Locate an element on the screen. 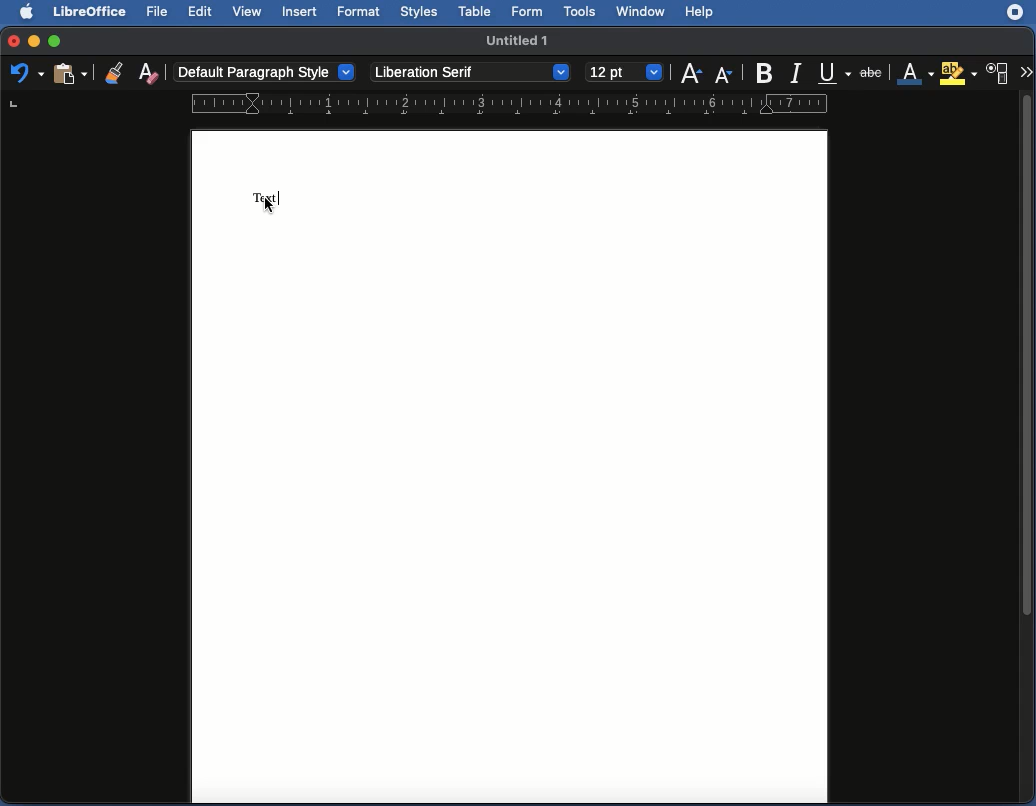 This screenshot has width=1036, height=806. Undo is located at coordinates (26, 74).